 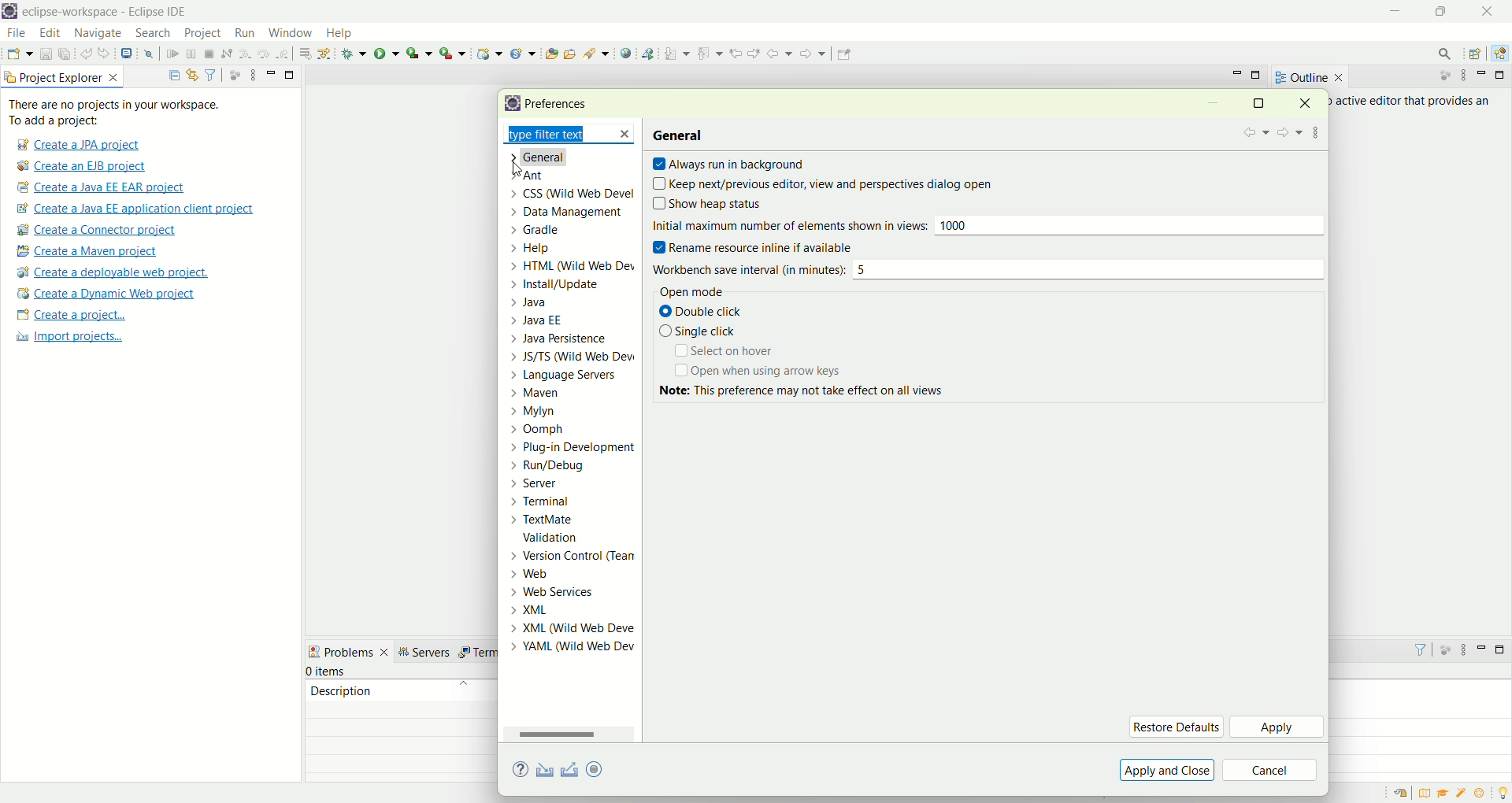 What do you see at coordinates (113, 273) in the screenshot?
I see `create a deployable web project` at bounding box center [113, 273].